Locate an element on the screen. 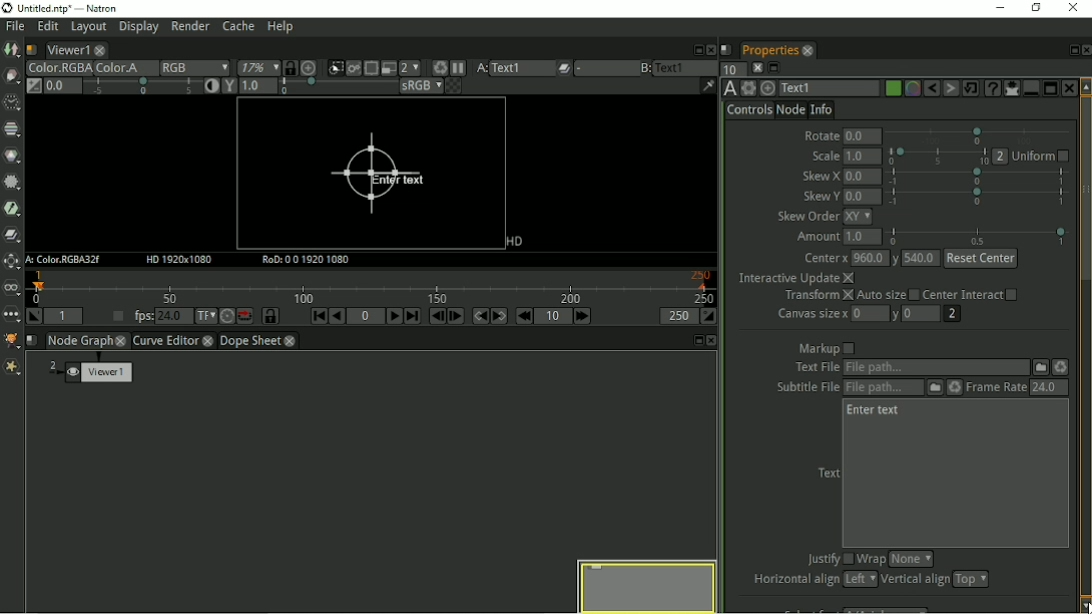 This screenshot has width=1092, height=614. Scale is located at coordinates (822, 156).